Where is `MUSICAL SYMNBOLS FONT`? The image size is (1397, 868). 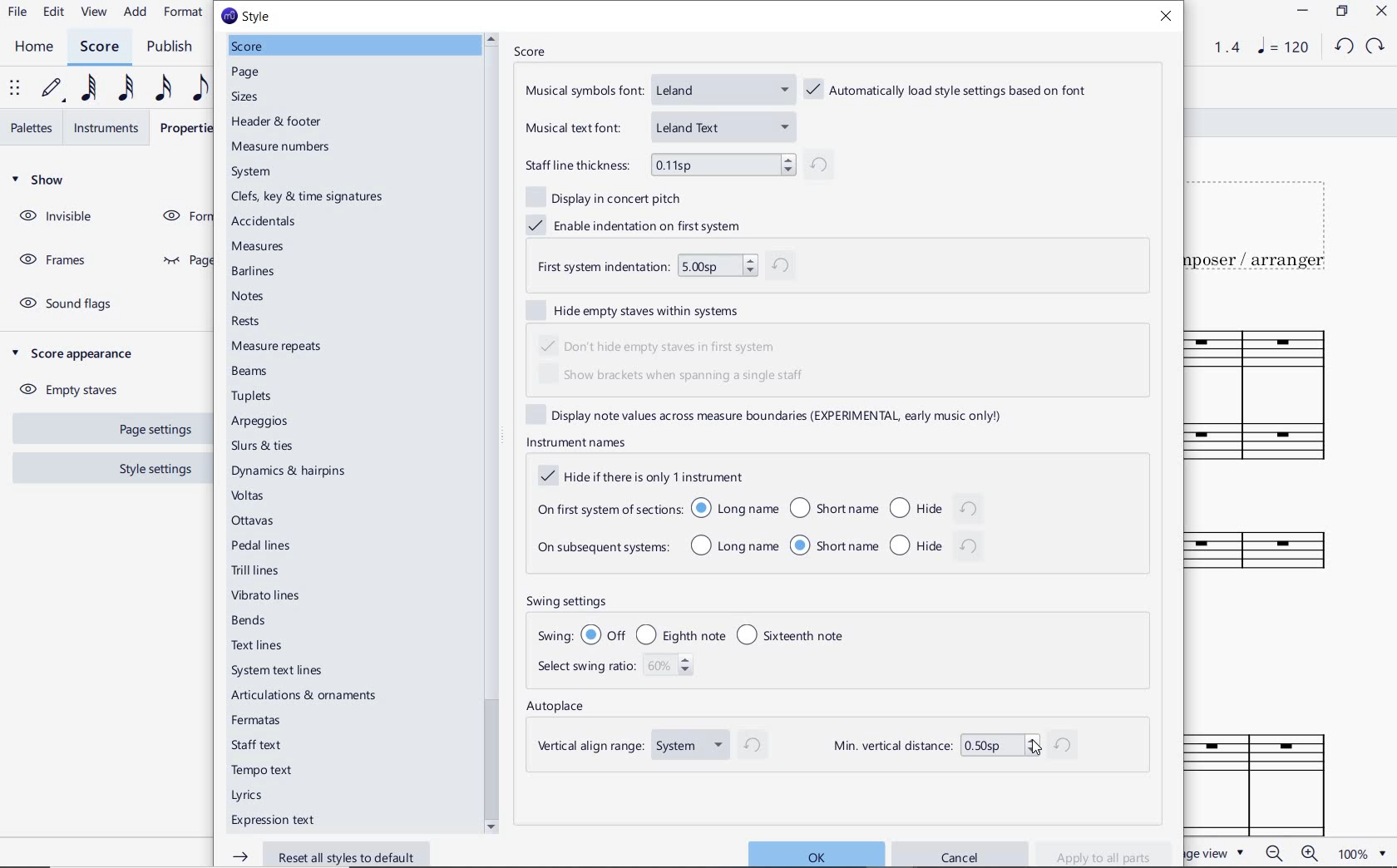
MUSICAL SYMNBOLS FONT is located at coordinates (658, 93).